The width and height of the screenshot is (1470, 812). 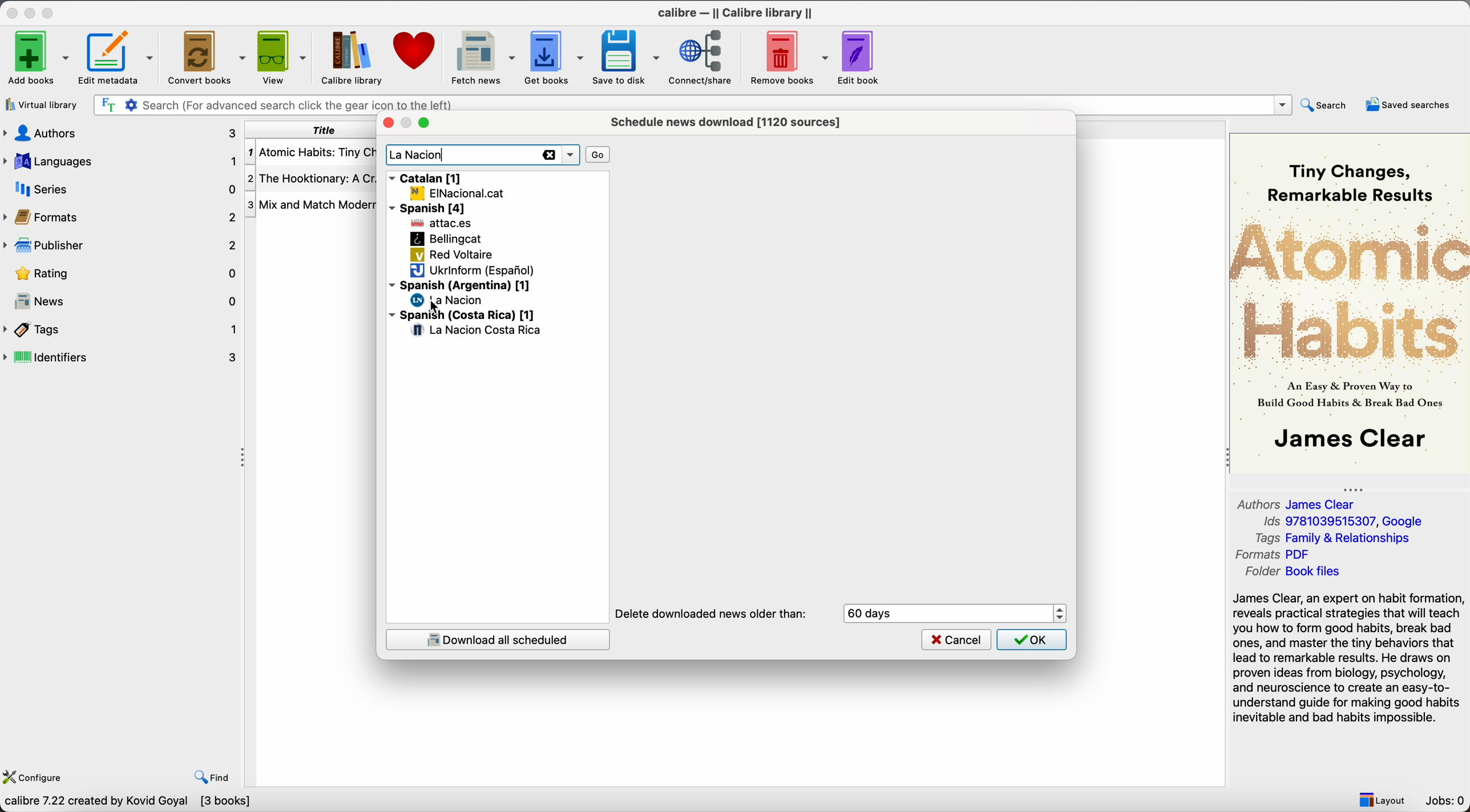 I want to click on ElNacional.cat, so click(x=457, y=193).